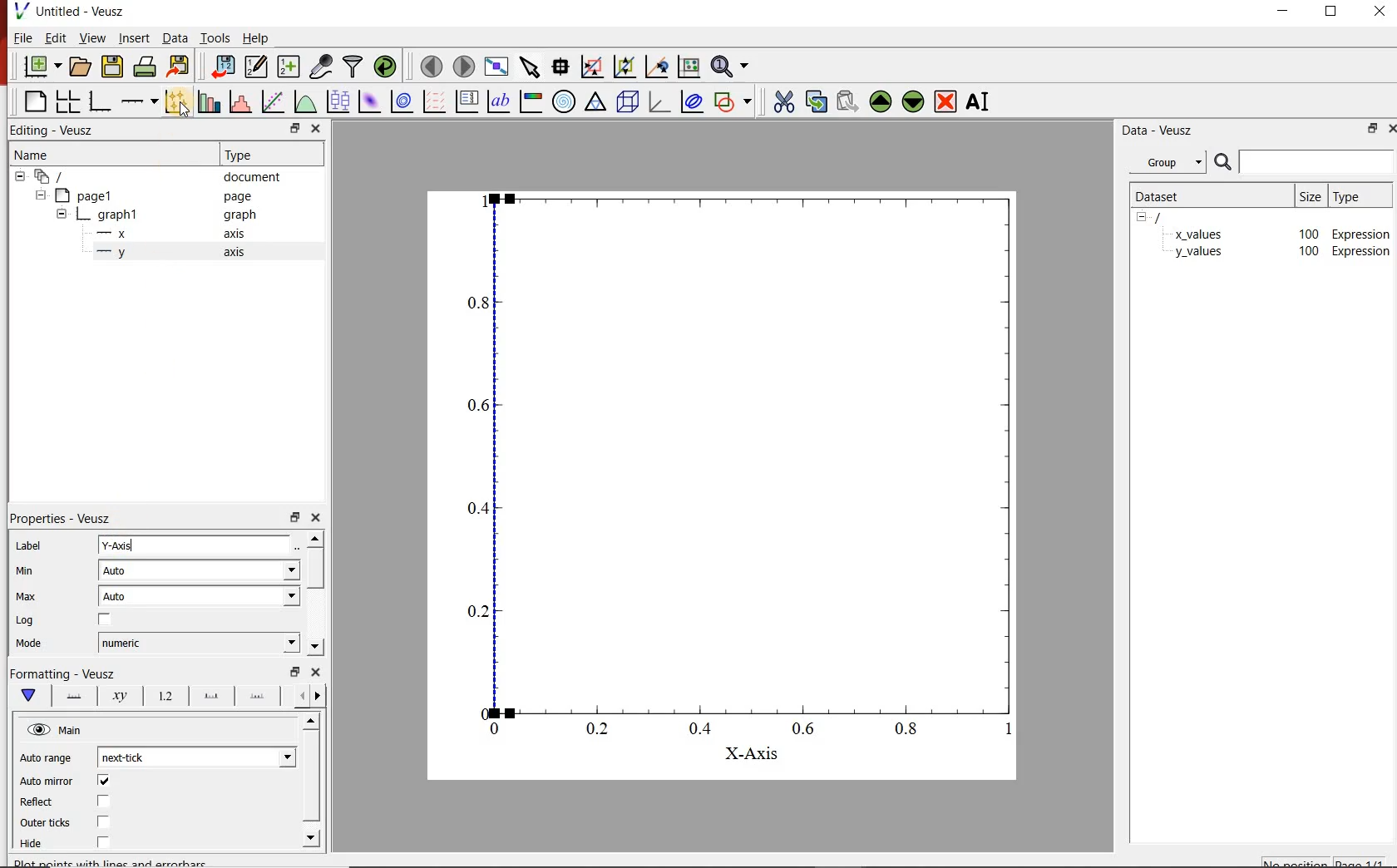  I want to click on Outer ticks, so click(46, 823).